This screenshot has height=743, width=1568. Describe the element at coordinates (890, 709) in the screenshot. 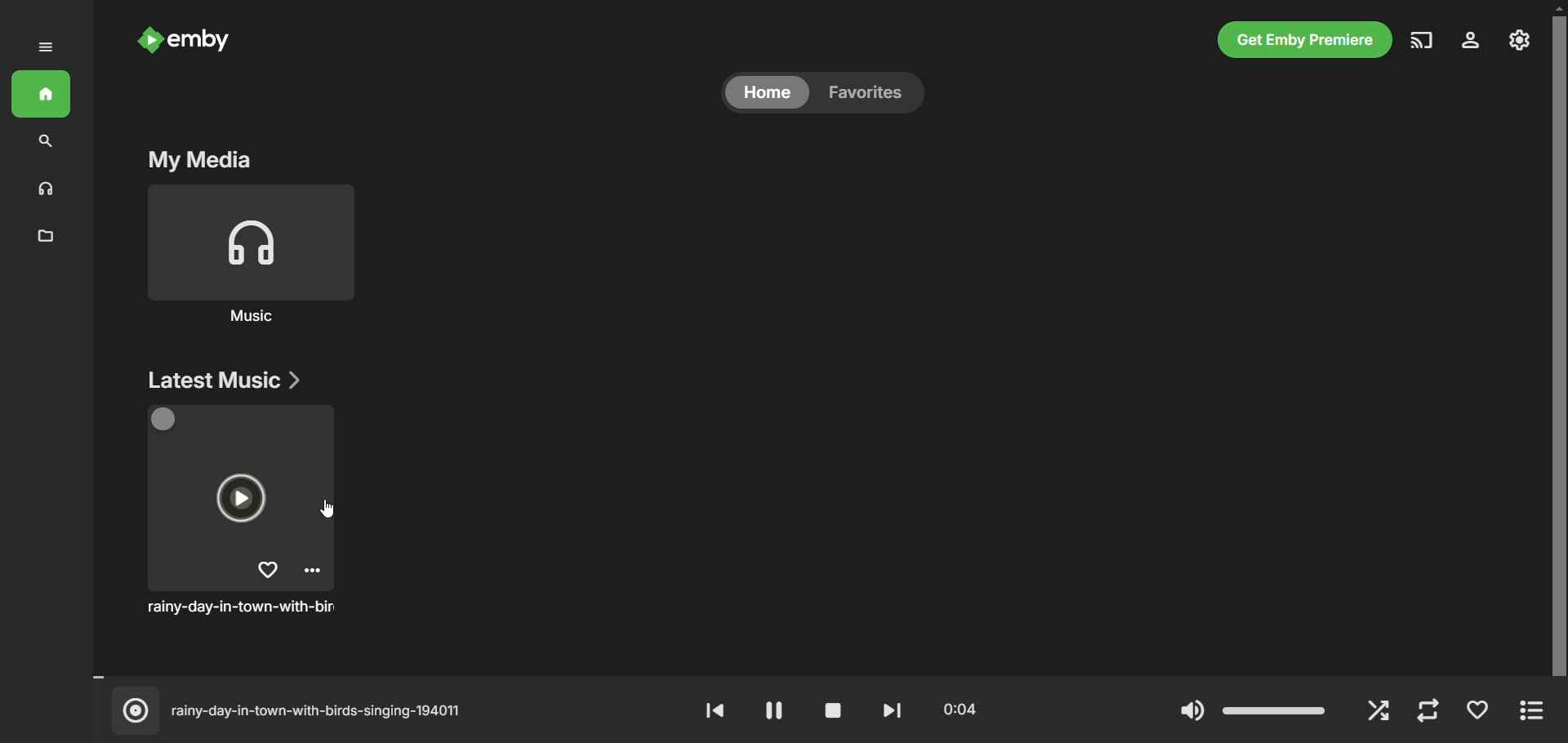

I see `next` at that location.